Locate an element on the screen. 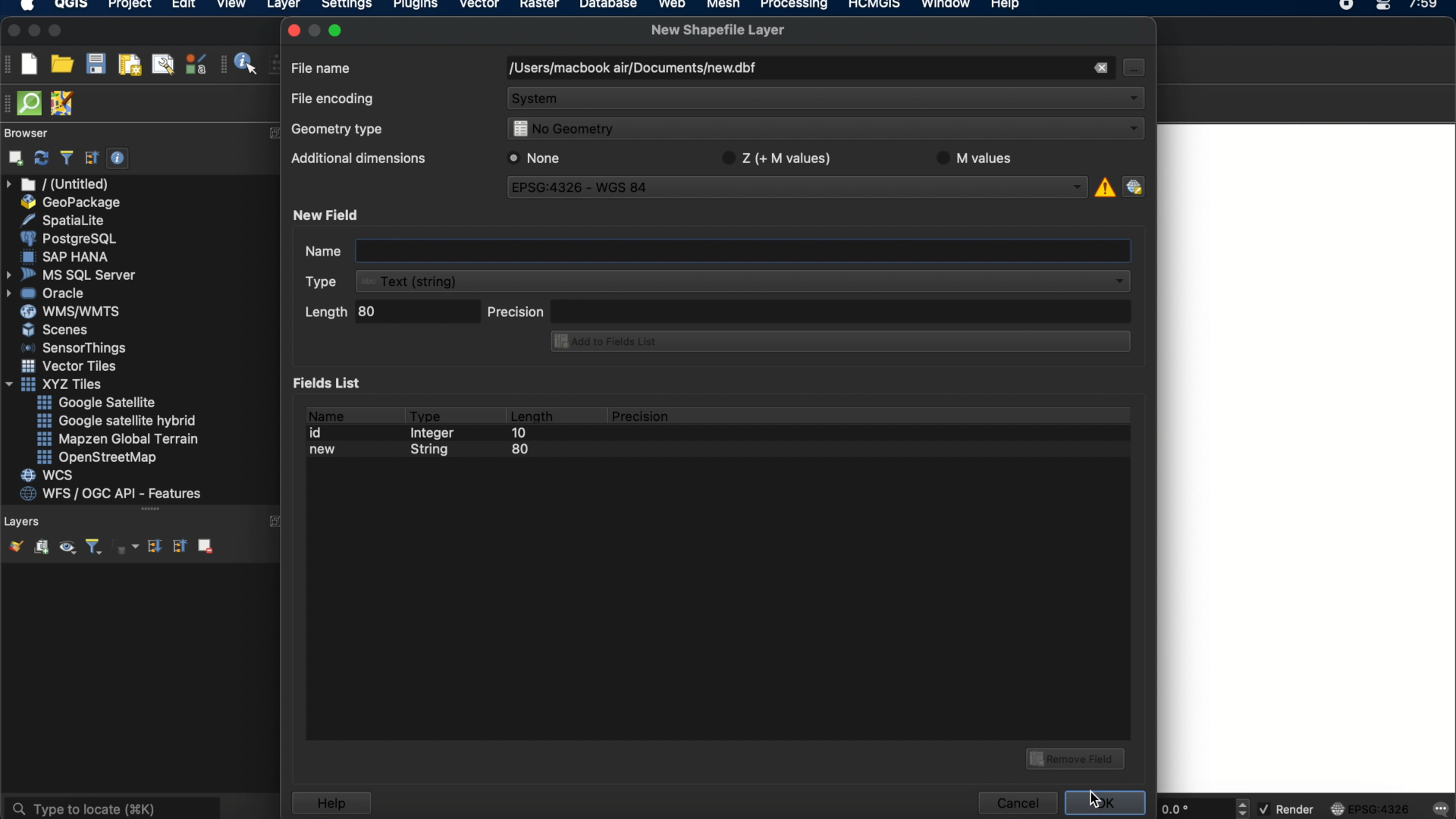 This screenshot has width=1456, height=819. cursor is located at coordinates (1132, 67).